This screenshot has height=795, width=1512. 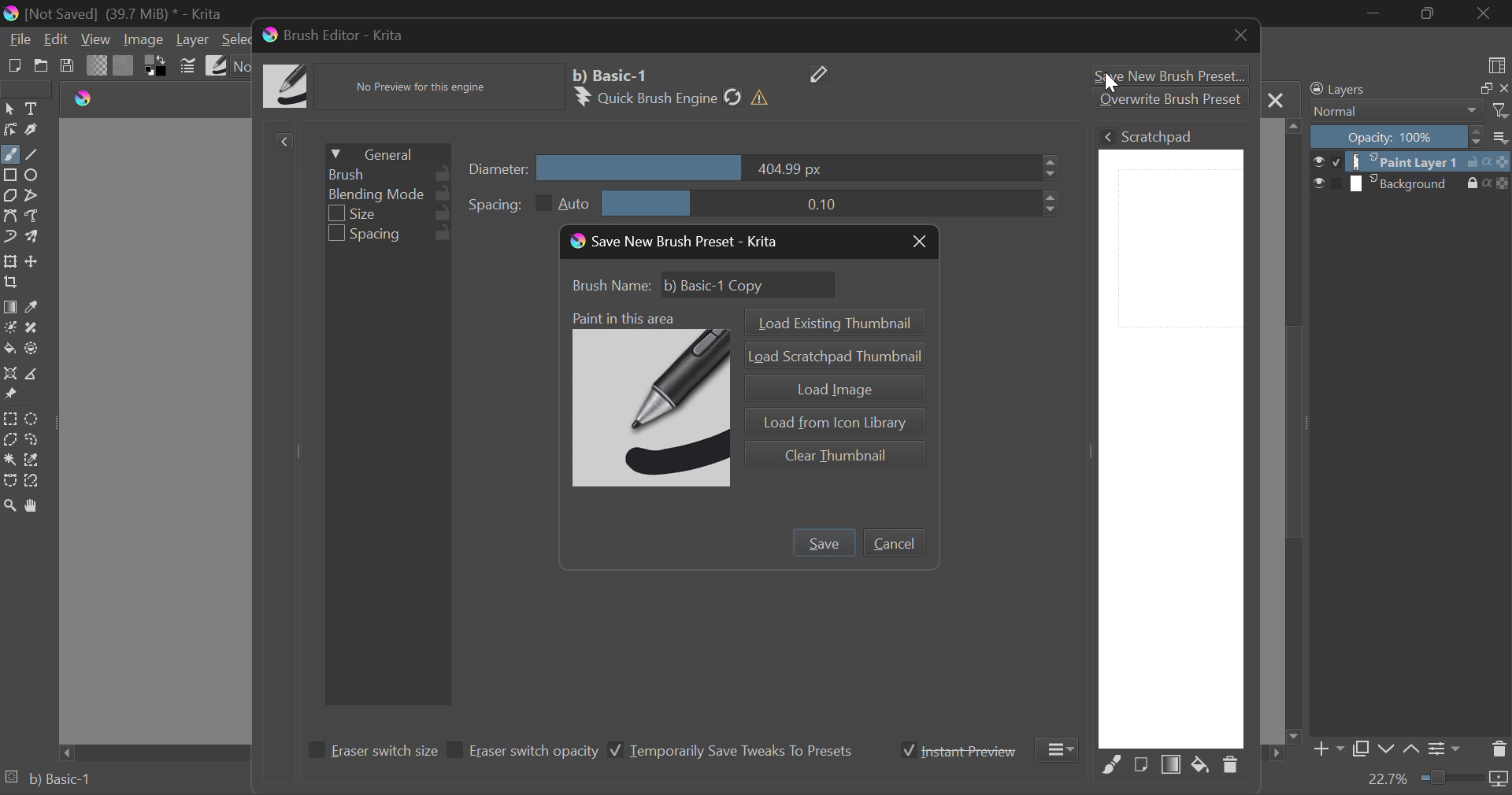 I want to click on Move Layer, so click(x=34, y=261).